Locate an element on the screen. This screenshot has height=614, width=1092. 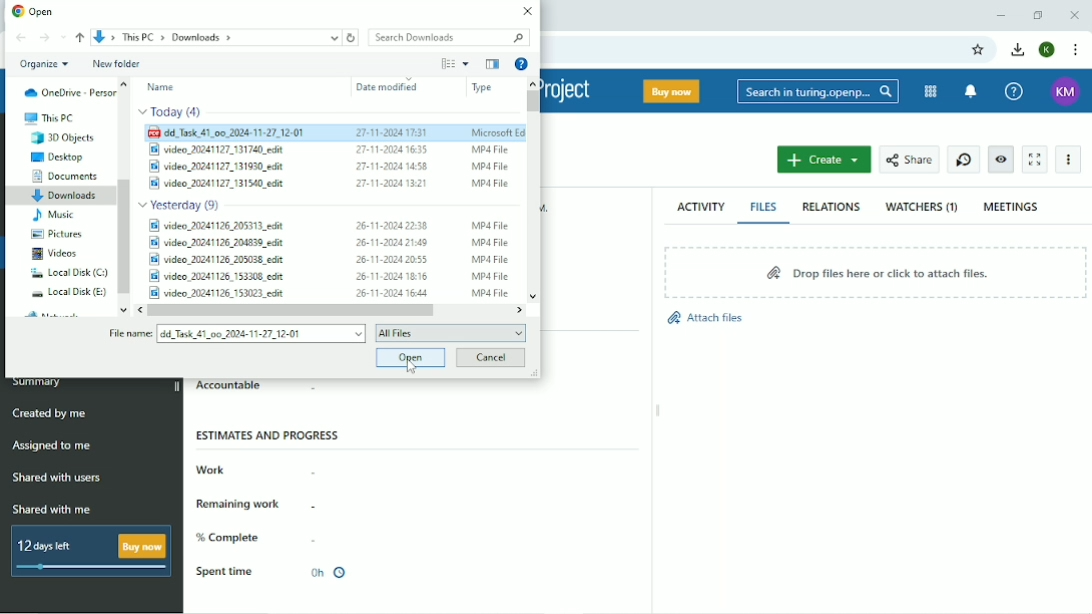
Files is located at coordinates (765, 207).